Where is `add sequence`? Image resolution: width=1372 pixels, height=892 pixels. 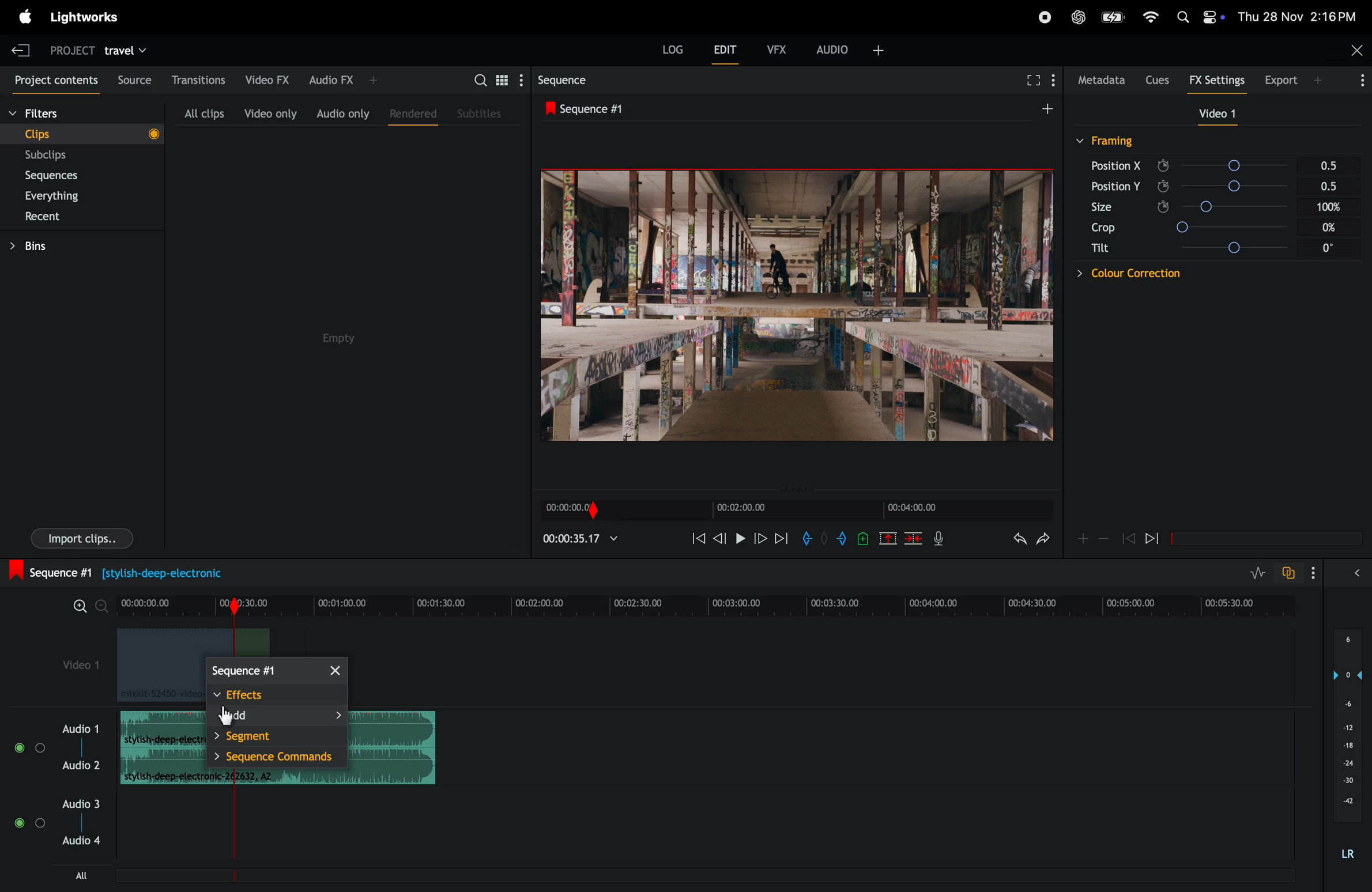 add sequence is located at coordinates (1046, 107).